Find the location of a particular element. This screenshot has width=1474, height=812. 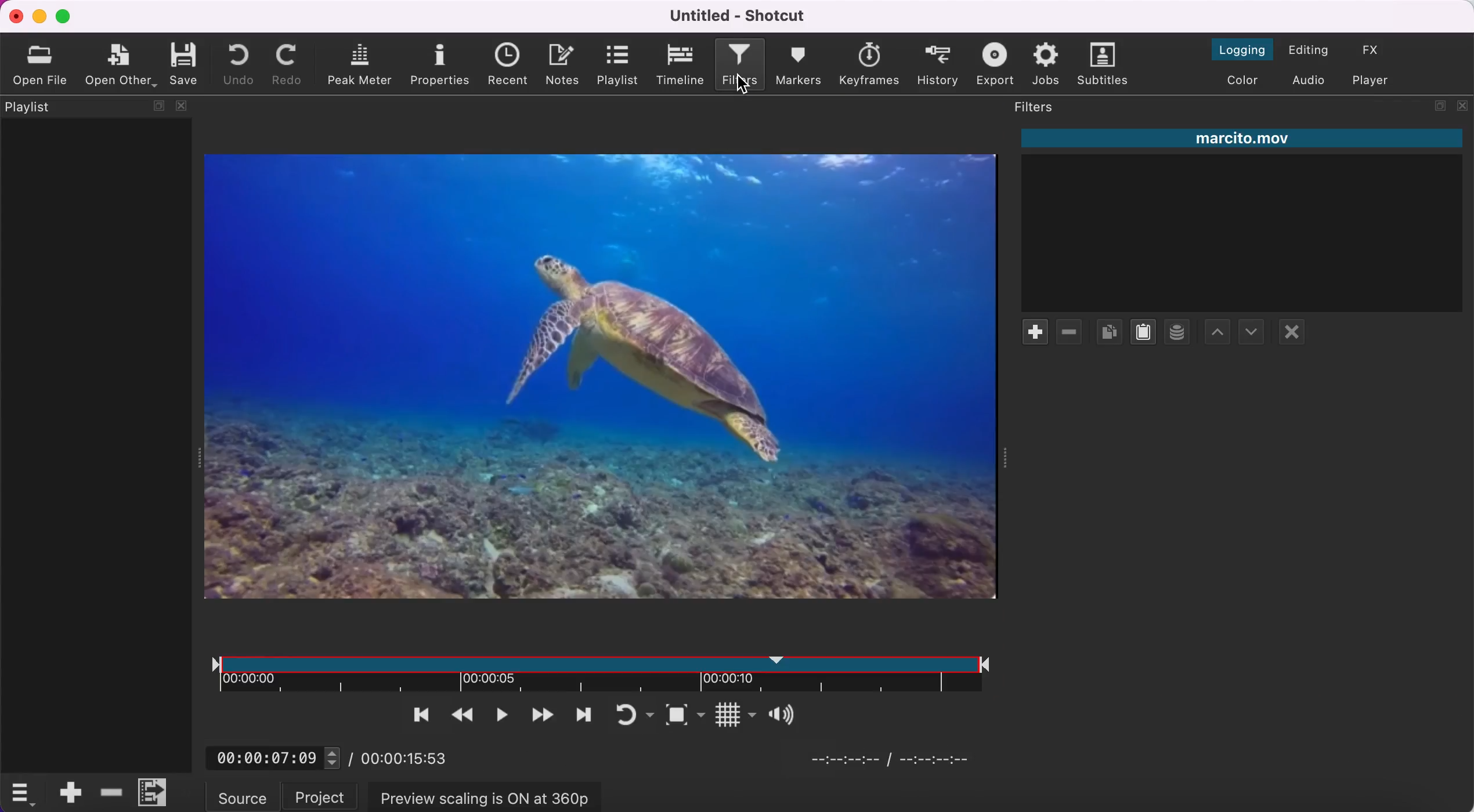

skip to next point is located at coordinates (581, 715).